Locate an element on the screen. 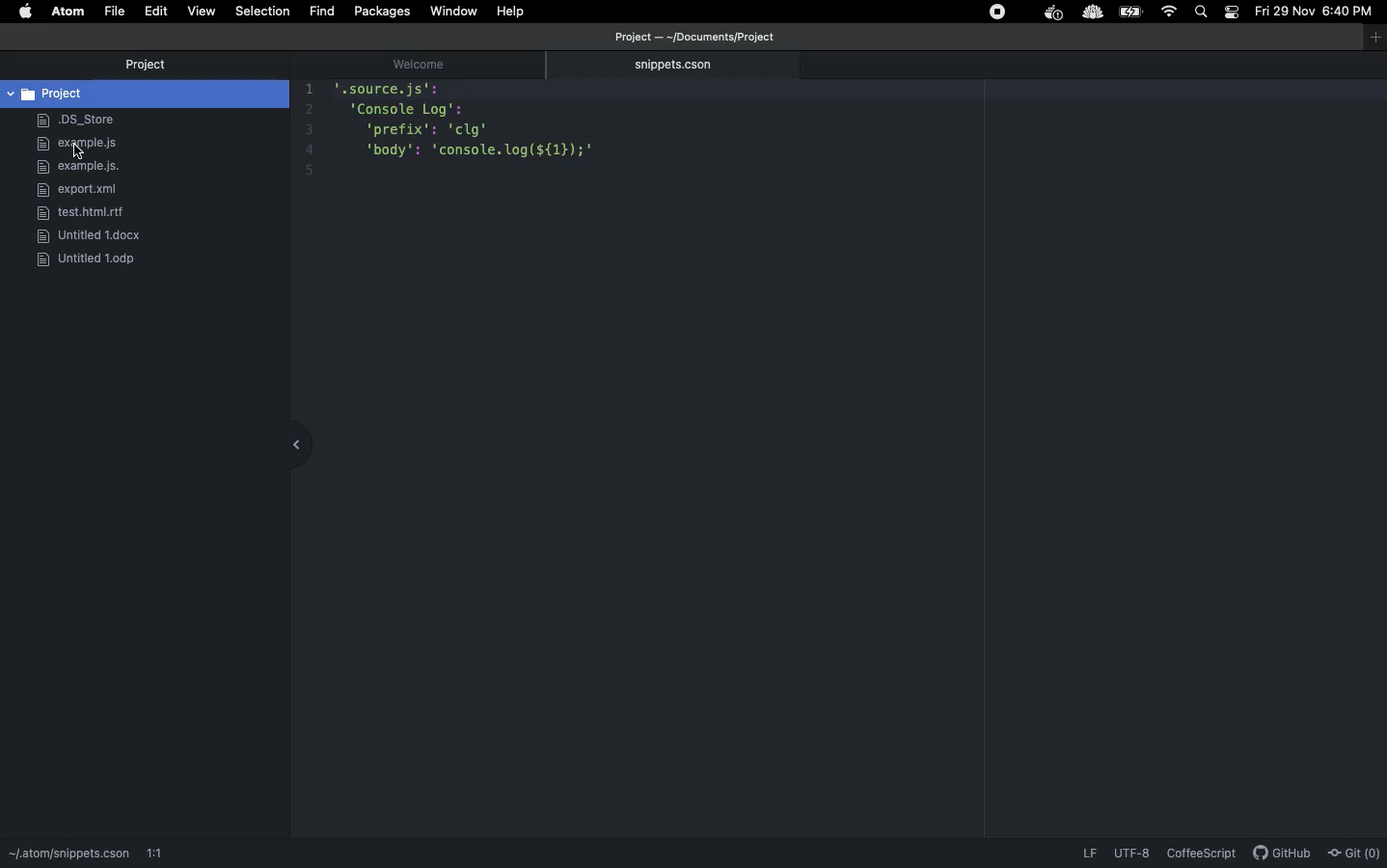 Image resolution: width=1387 pixels, height=868 pixels. CoffeScript is located at coordinates (1199, 853).